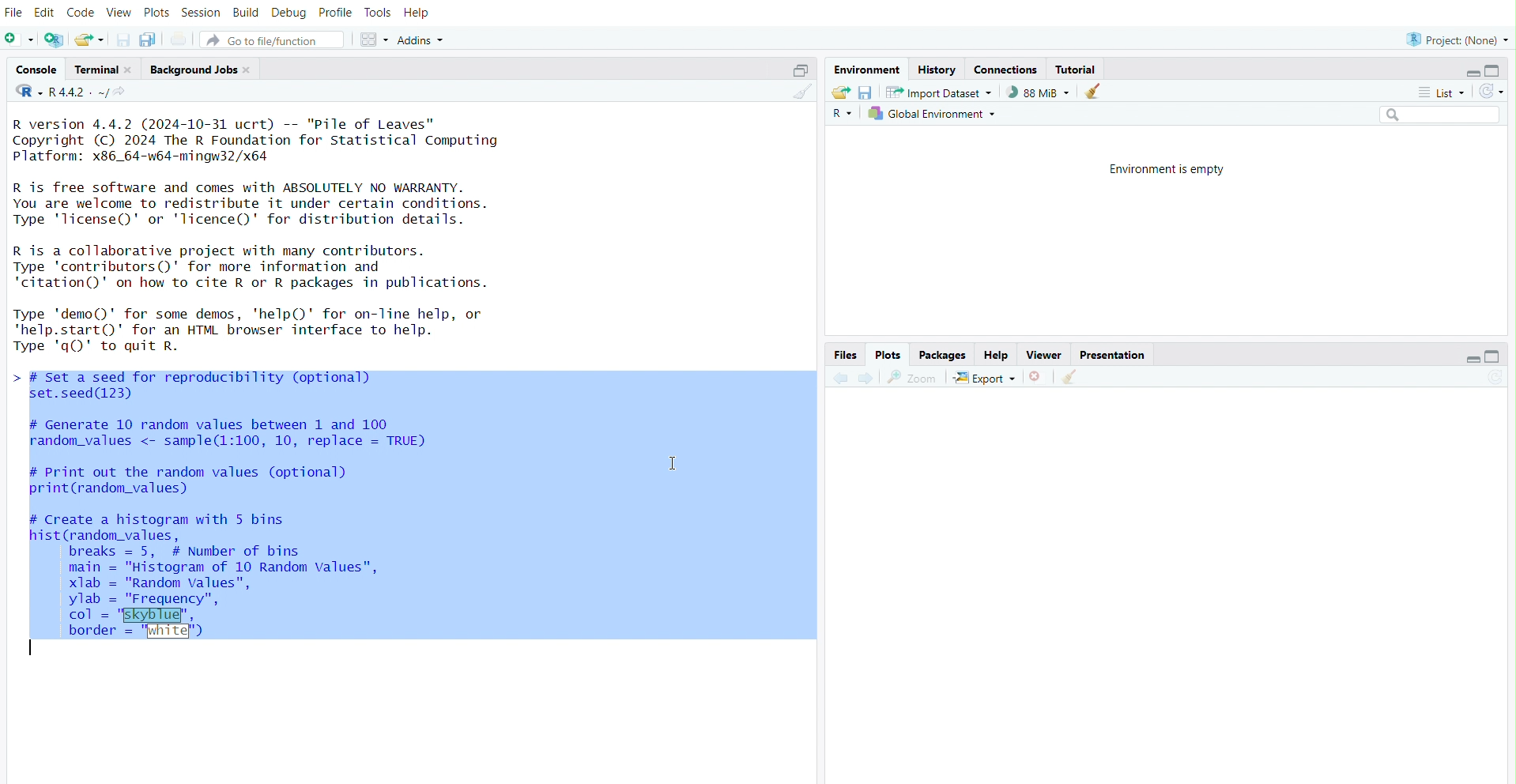 This screenshot has width=1516, height=784. Describe the element at coordinates (999, 353) in the screenshot. I see `help` at that location.